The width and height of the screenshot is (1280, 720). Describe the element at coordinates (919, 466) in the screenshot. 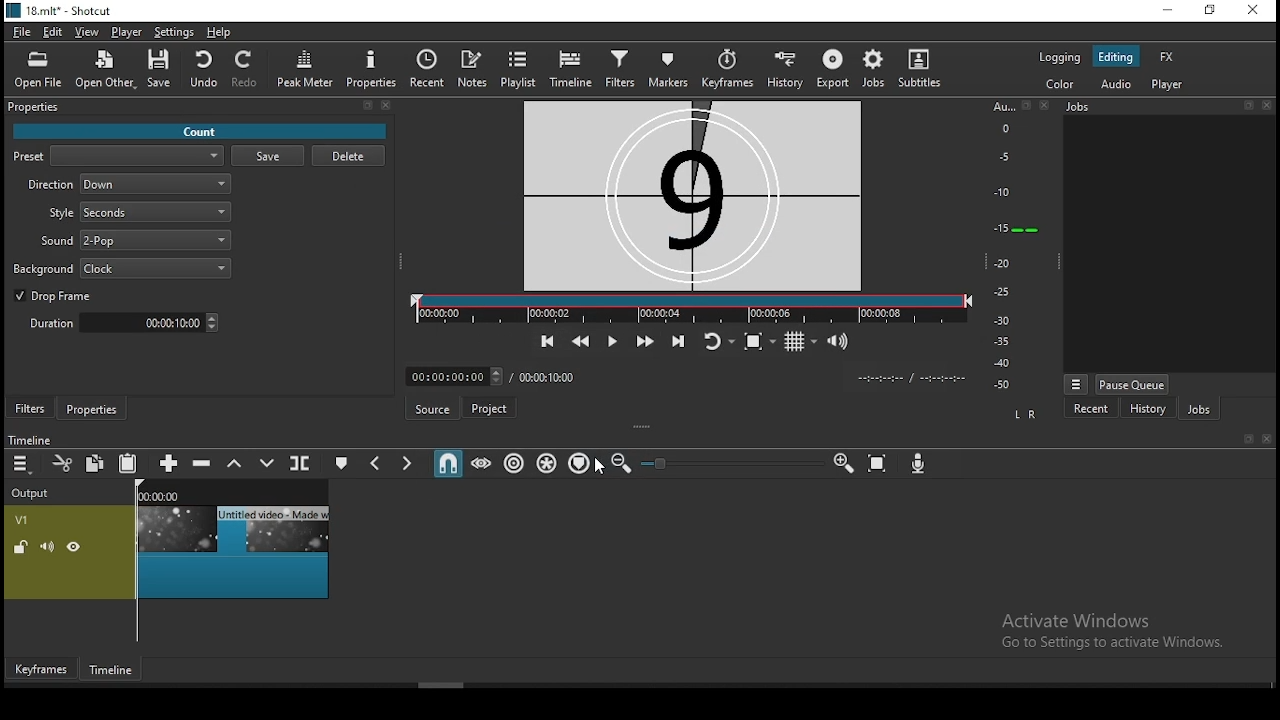

I see `record audio` at that location.